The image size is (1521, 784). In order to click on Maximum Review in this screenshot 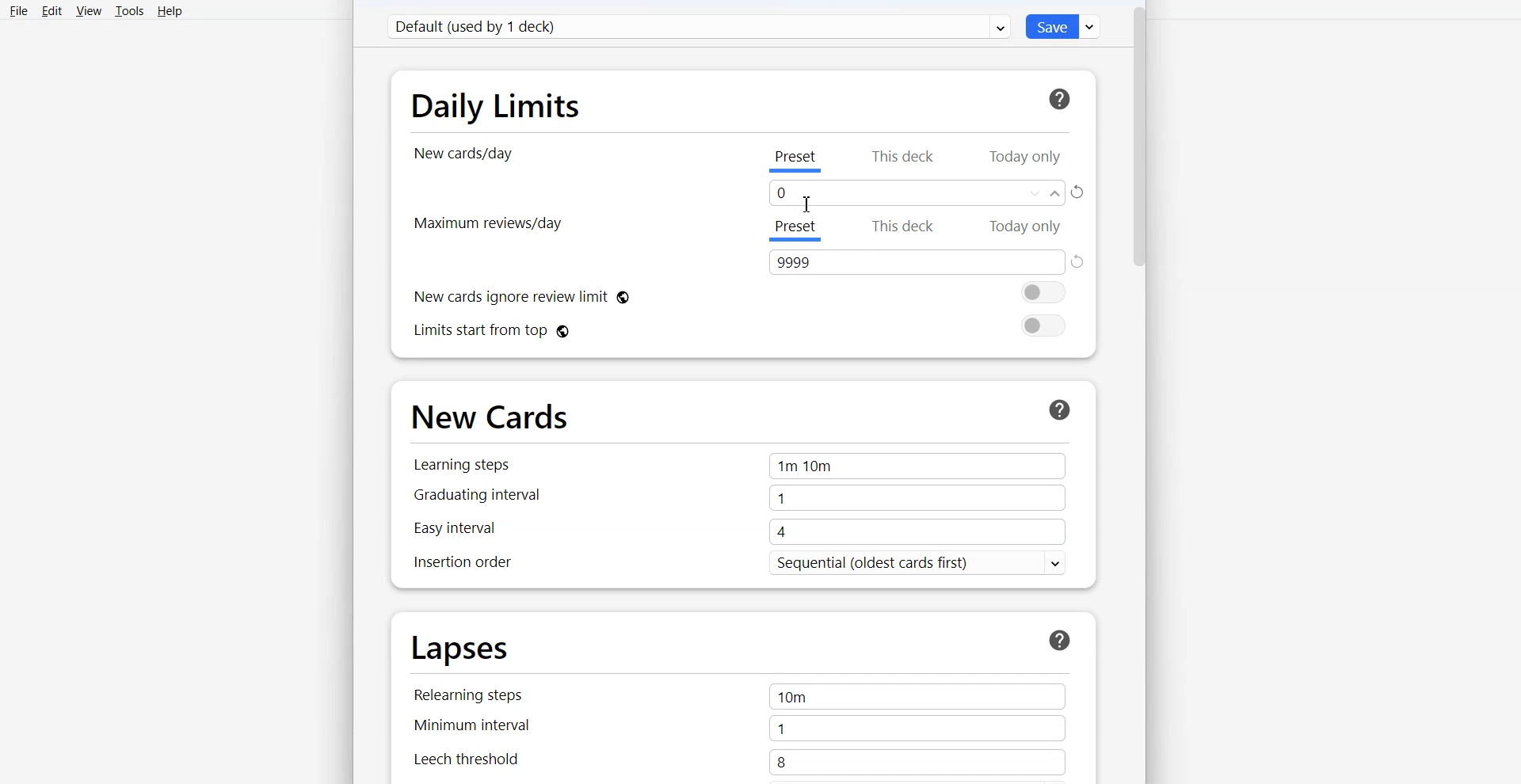, I will do `click(490, 224)`.